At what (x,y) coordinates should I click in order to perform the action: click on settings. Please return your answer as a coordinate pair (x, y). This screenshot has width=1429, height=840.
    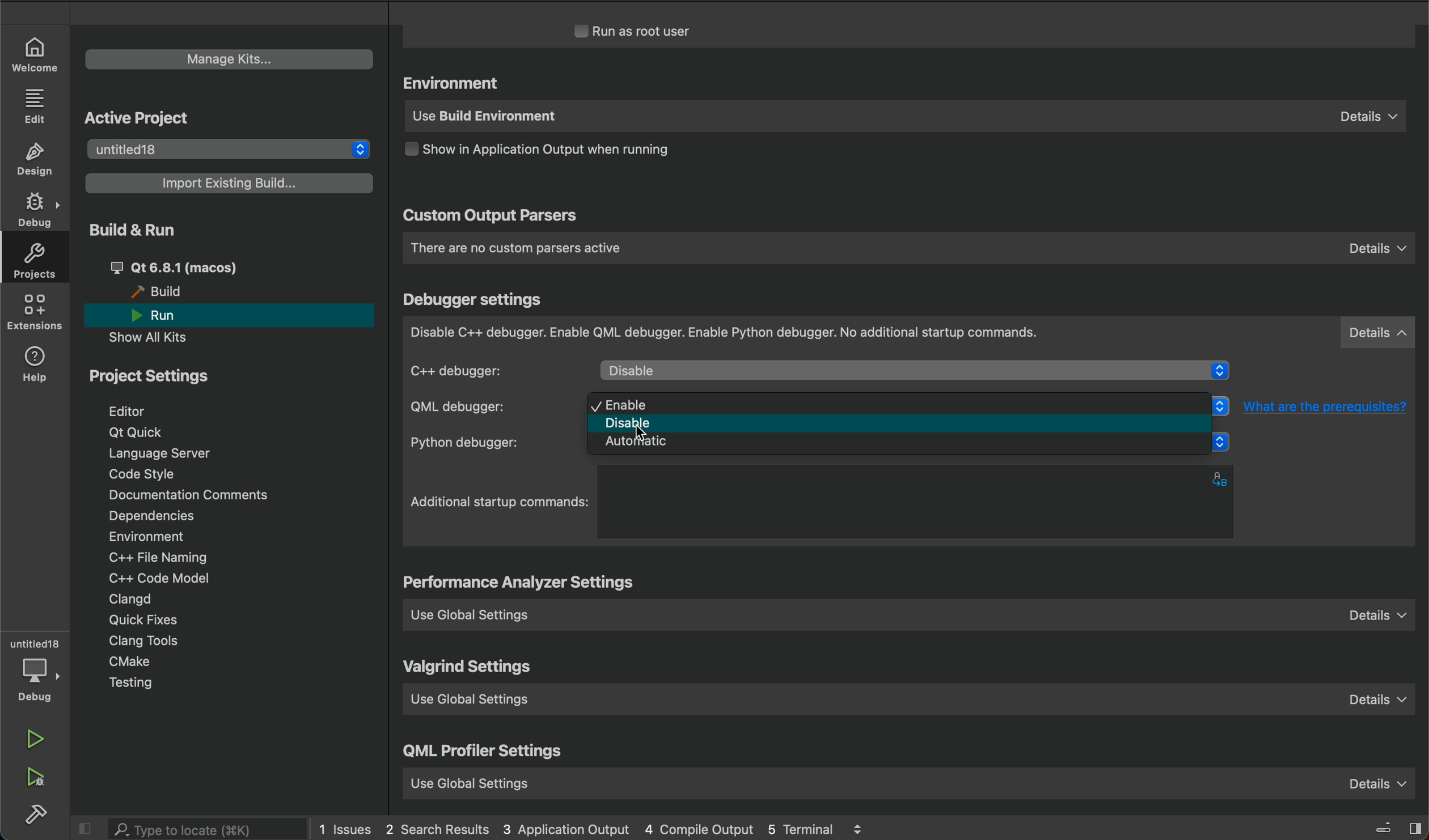
    Looking at the image, I should click on (523, 584).